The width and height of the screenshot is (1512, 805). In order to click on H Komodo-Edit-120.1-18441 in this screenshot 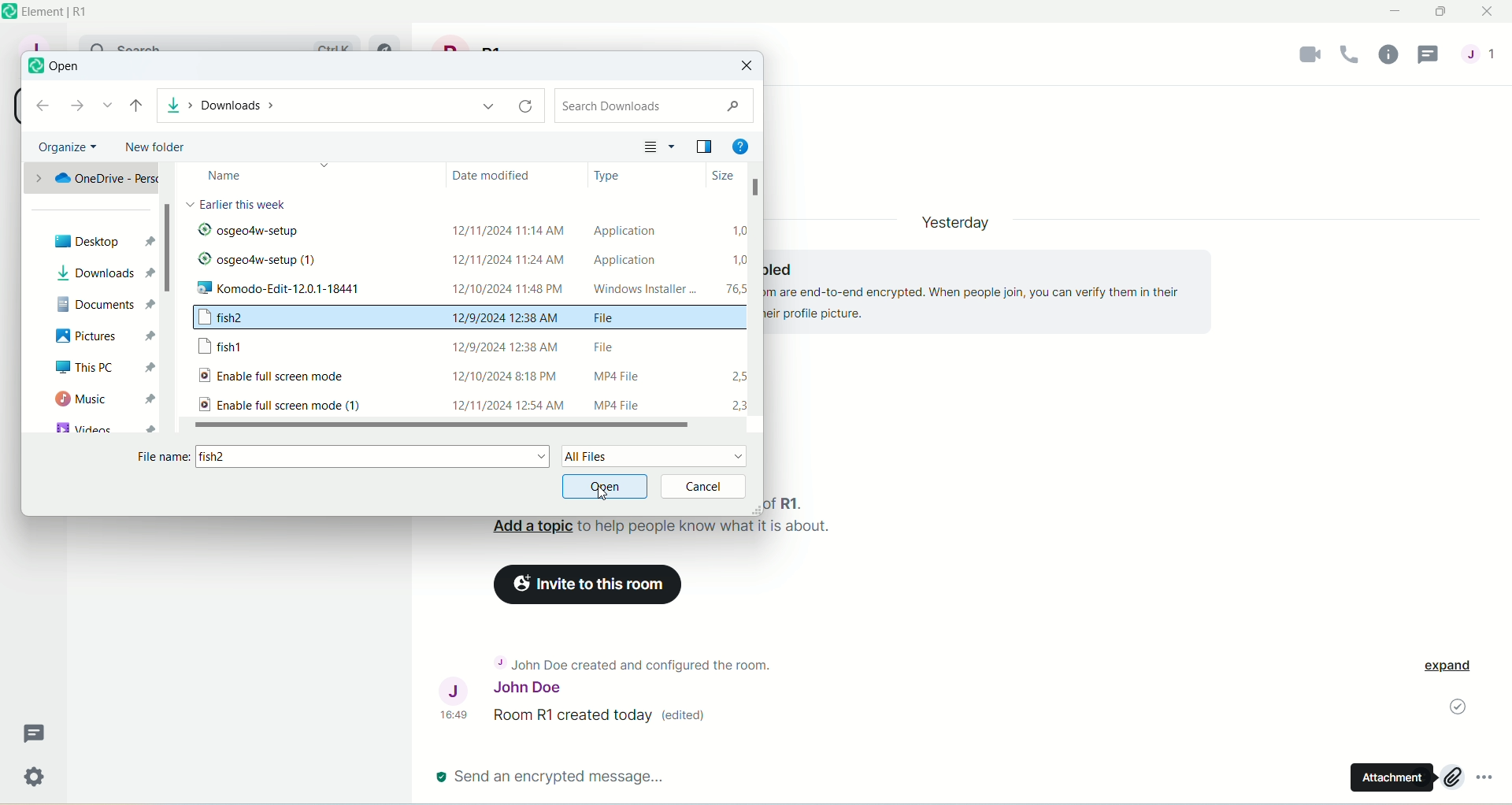, I will do `click(306, 291)`.